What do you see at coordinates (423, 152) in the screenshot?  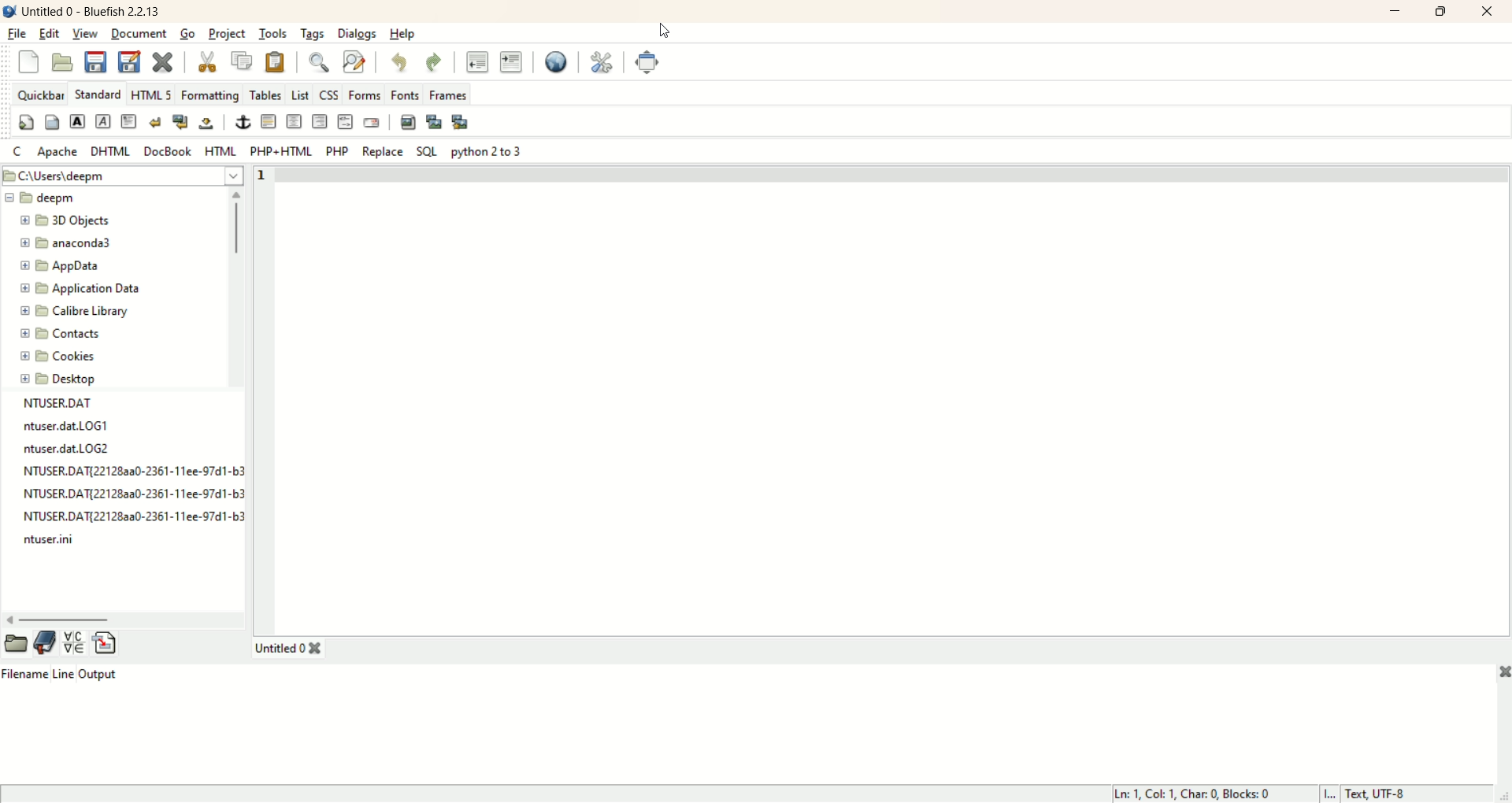 I see `SQL` at bounding box center [423, 152].